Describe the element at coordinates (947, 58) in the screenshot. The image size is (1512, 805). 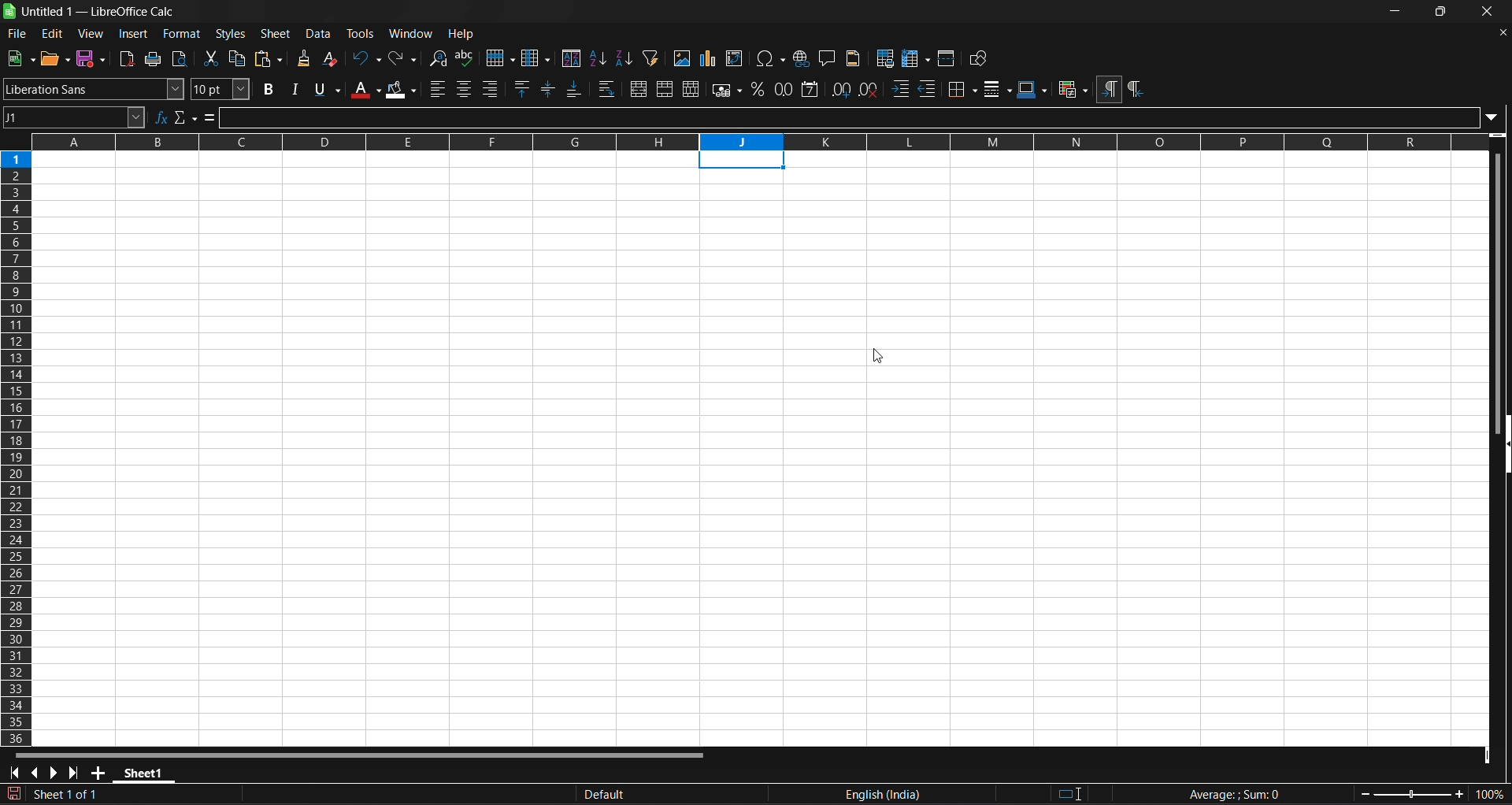
I see `split window` at that location.